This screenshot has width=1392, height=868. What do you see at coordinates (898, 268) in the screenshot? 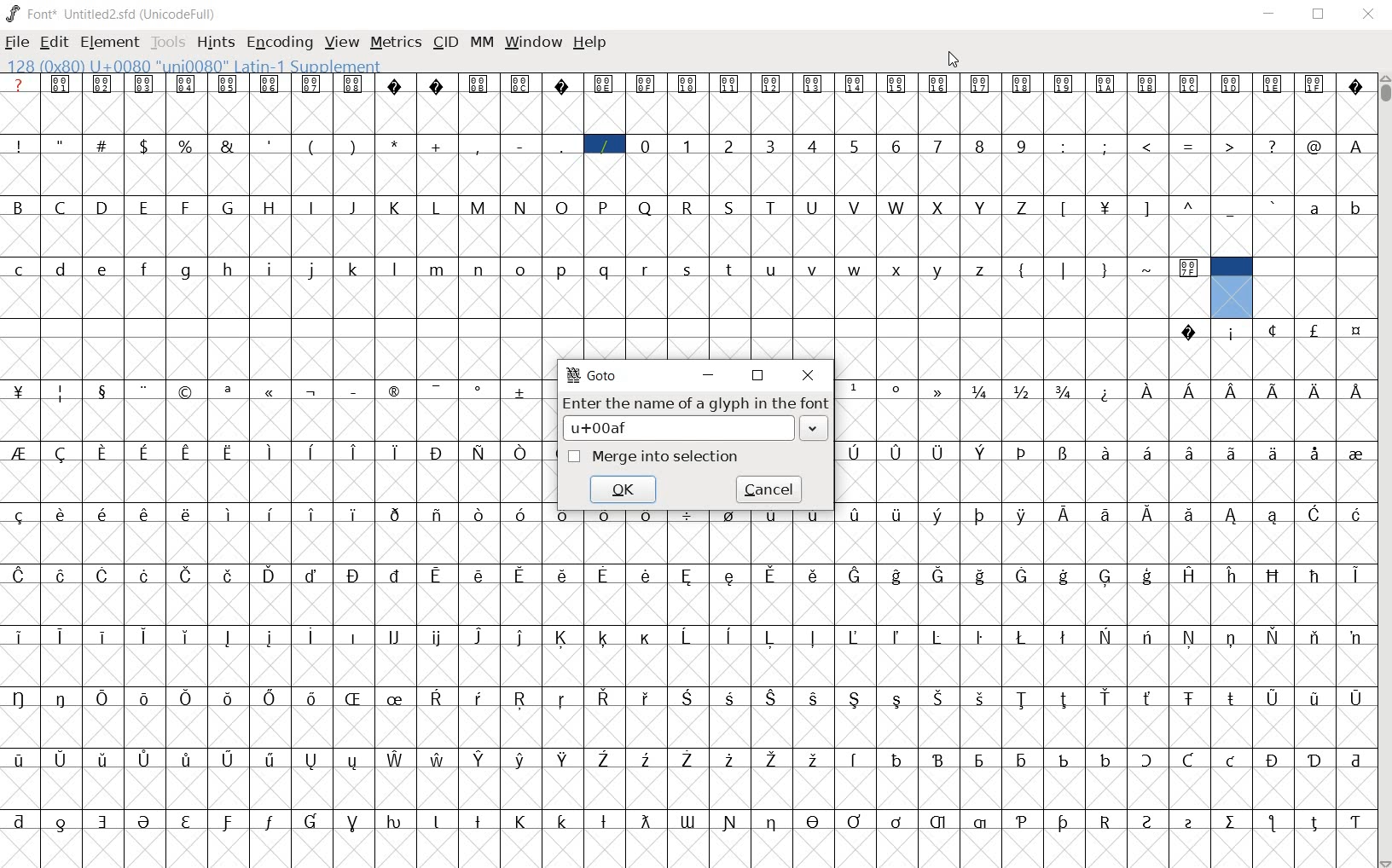
I see `x` at bounding box center [898, 268].